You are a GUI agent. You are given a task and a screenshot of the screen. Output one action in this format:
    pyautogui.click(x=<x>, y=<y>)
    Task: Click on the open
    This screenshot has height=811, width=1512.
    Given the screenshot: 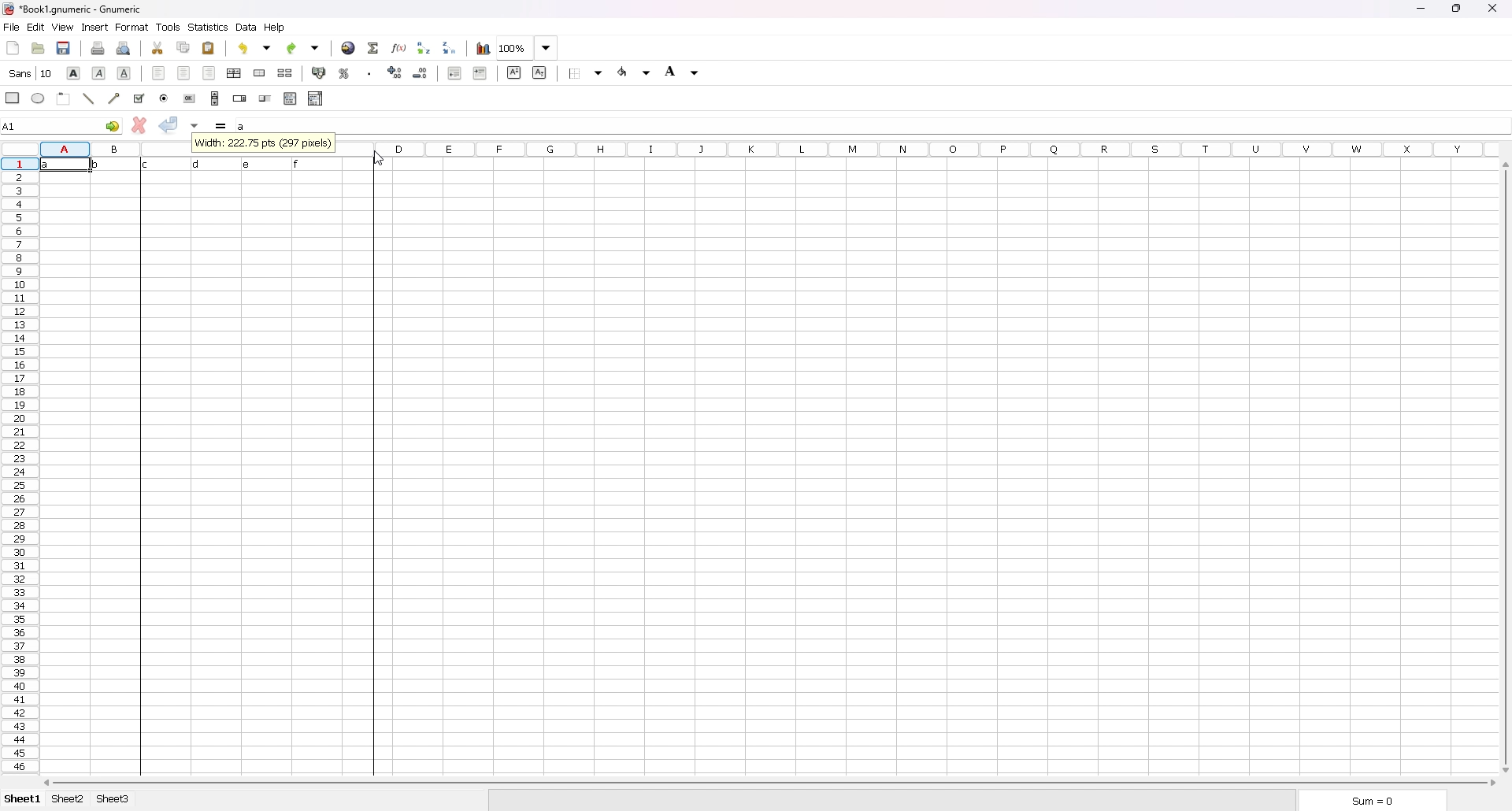 What is the action you would take?
    pyautogui.click(x=38, y=47)
    